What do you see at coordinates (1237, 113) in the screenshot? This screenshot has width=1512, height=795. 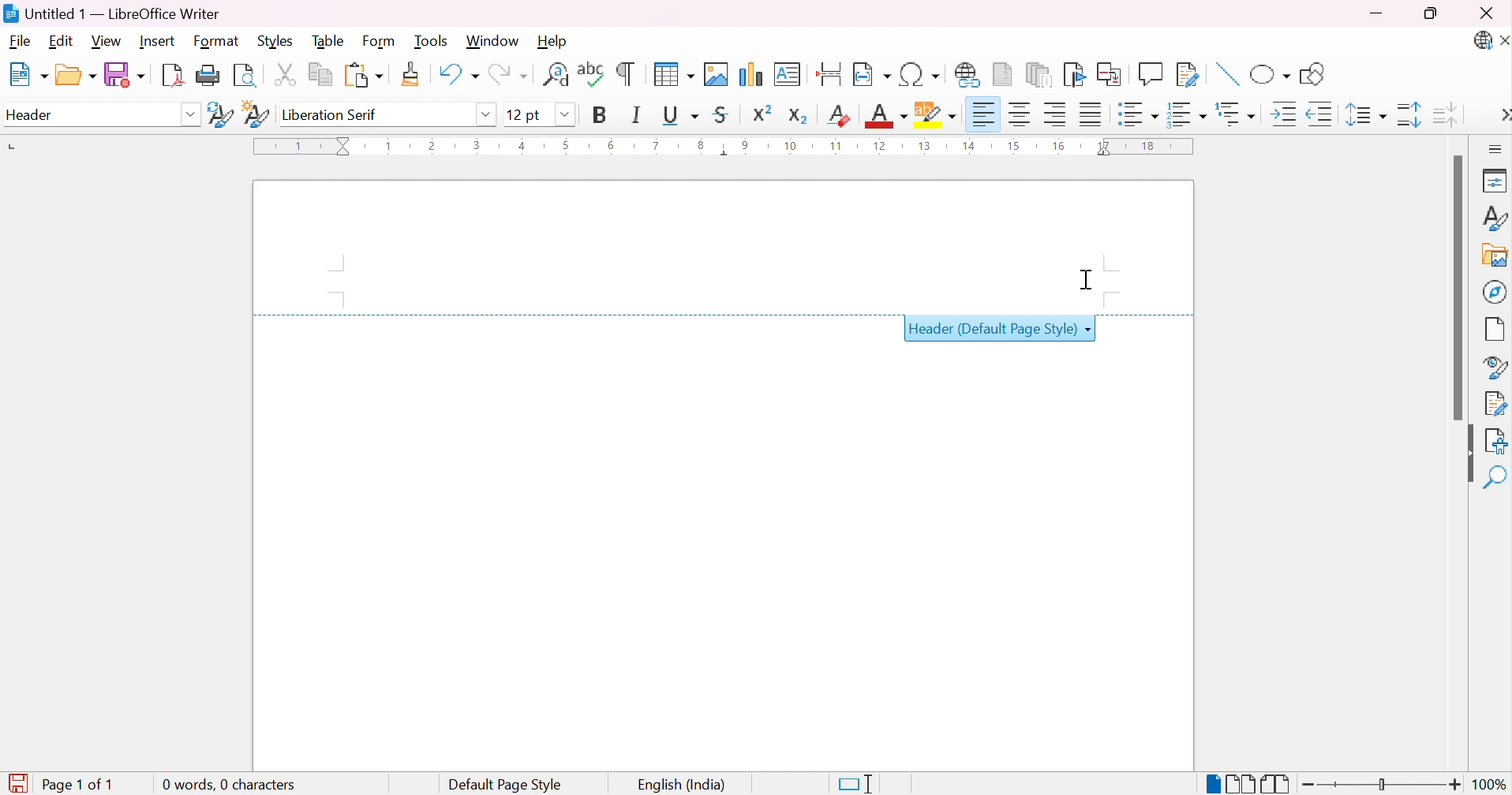 I see `Select outline format` at bounding box center [1237, 113].